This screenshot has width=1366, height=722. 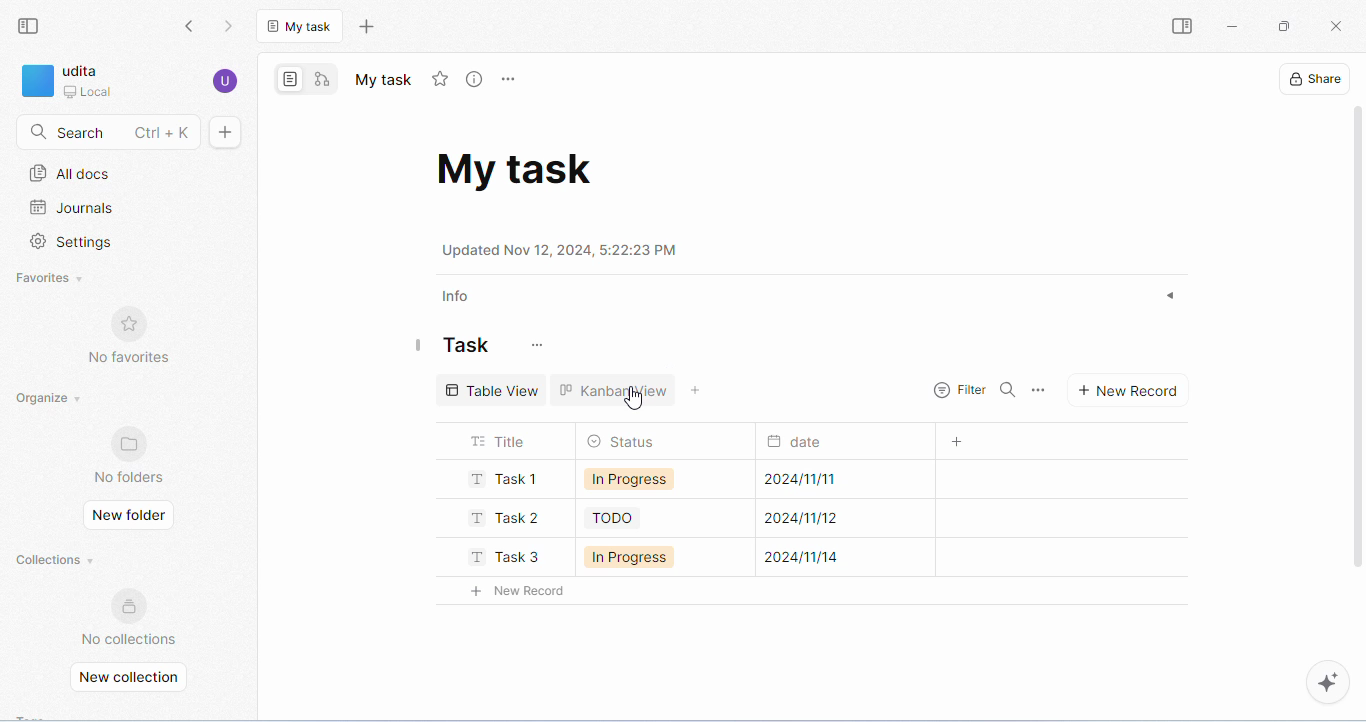 What do you see at coordinates (520, 169) in the screenshot?
I see `my task` at bounding box center [520, 169].